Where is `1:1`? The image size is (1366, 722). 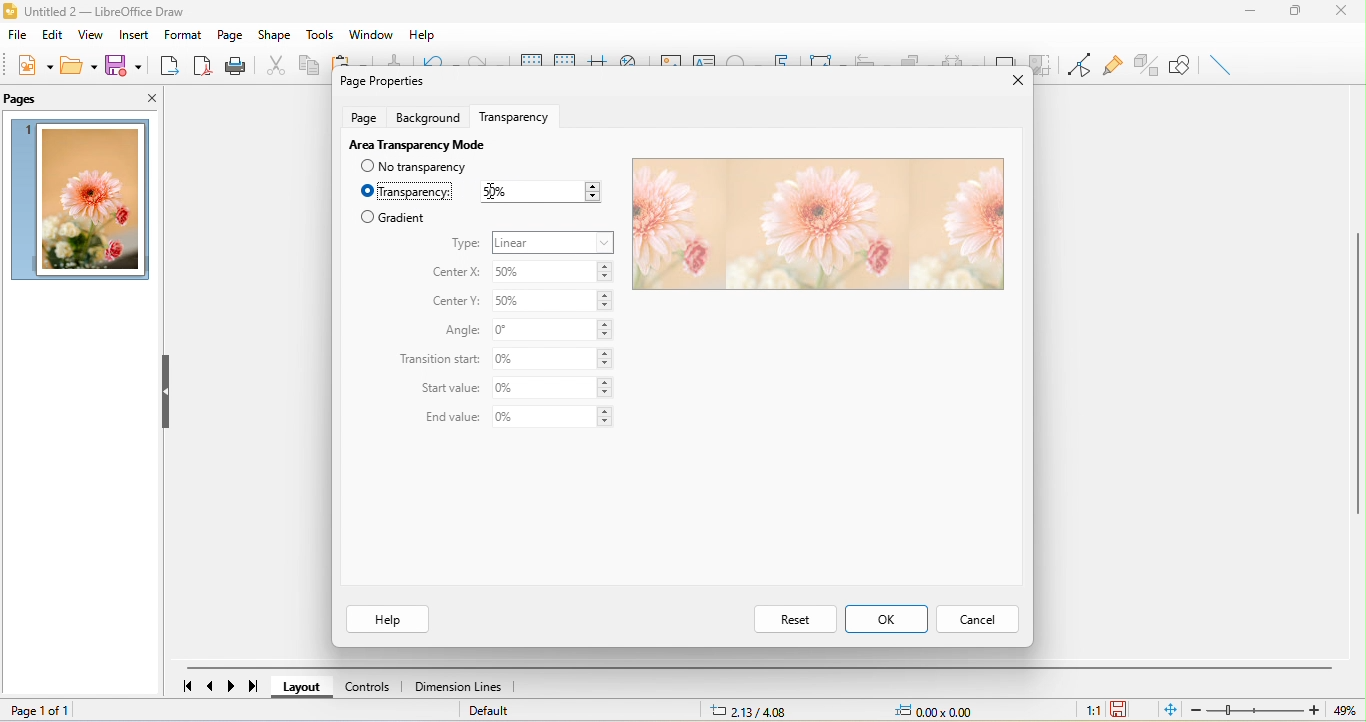 1:1 is located at coordinates (1092, 712).